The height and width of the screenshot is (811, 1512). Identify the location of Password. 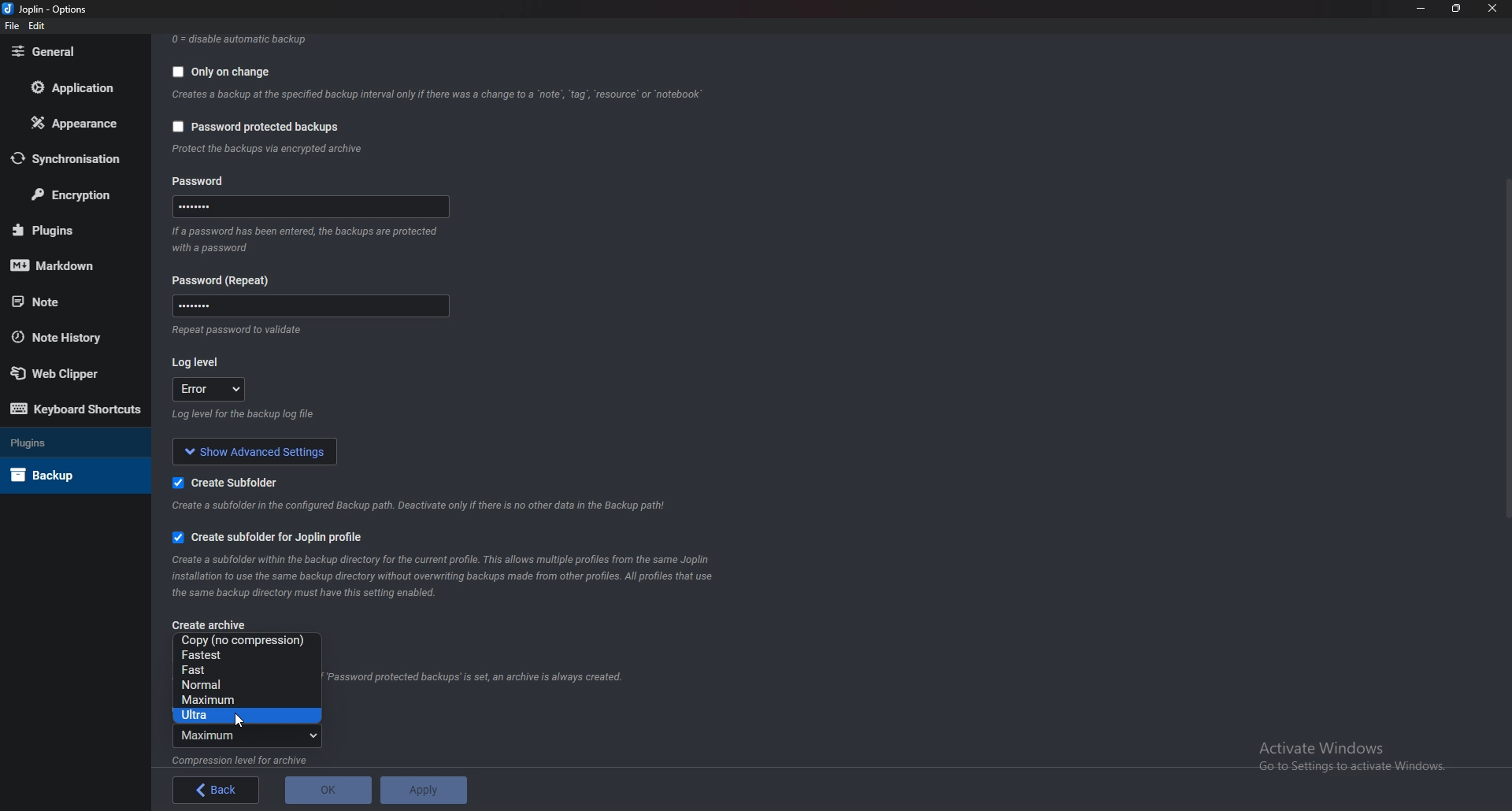
(309, 306).